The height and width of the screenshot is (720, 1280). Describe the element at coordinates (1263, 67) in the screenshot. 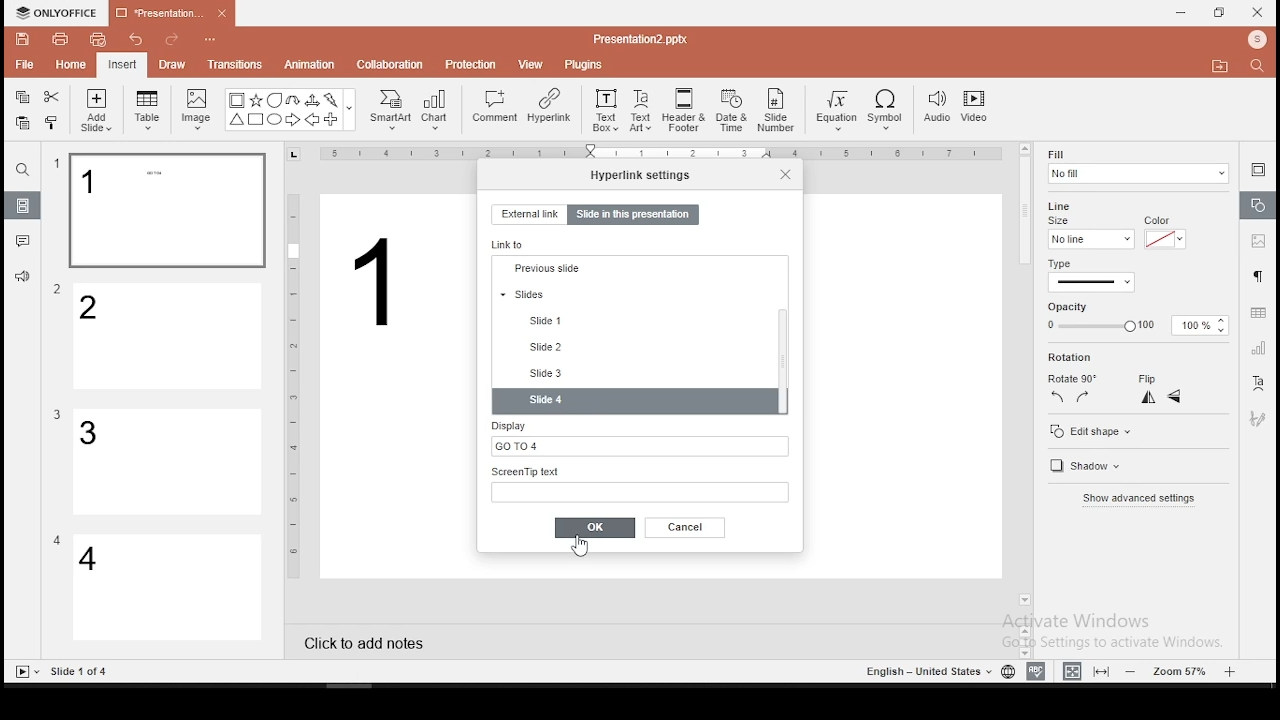

I see `Search` at that location.